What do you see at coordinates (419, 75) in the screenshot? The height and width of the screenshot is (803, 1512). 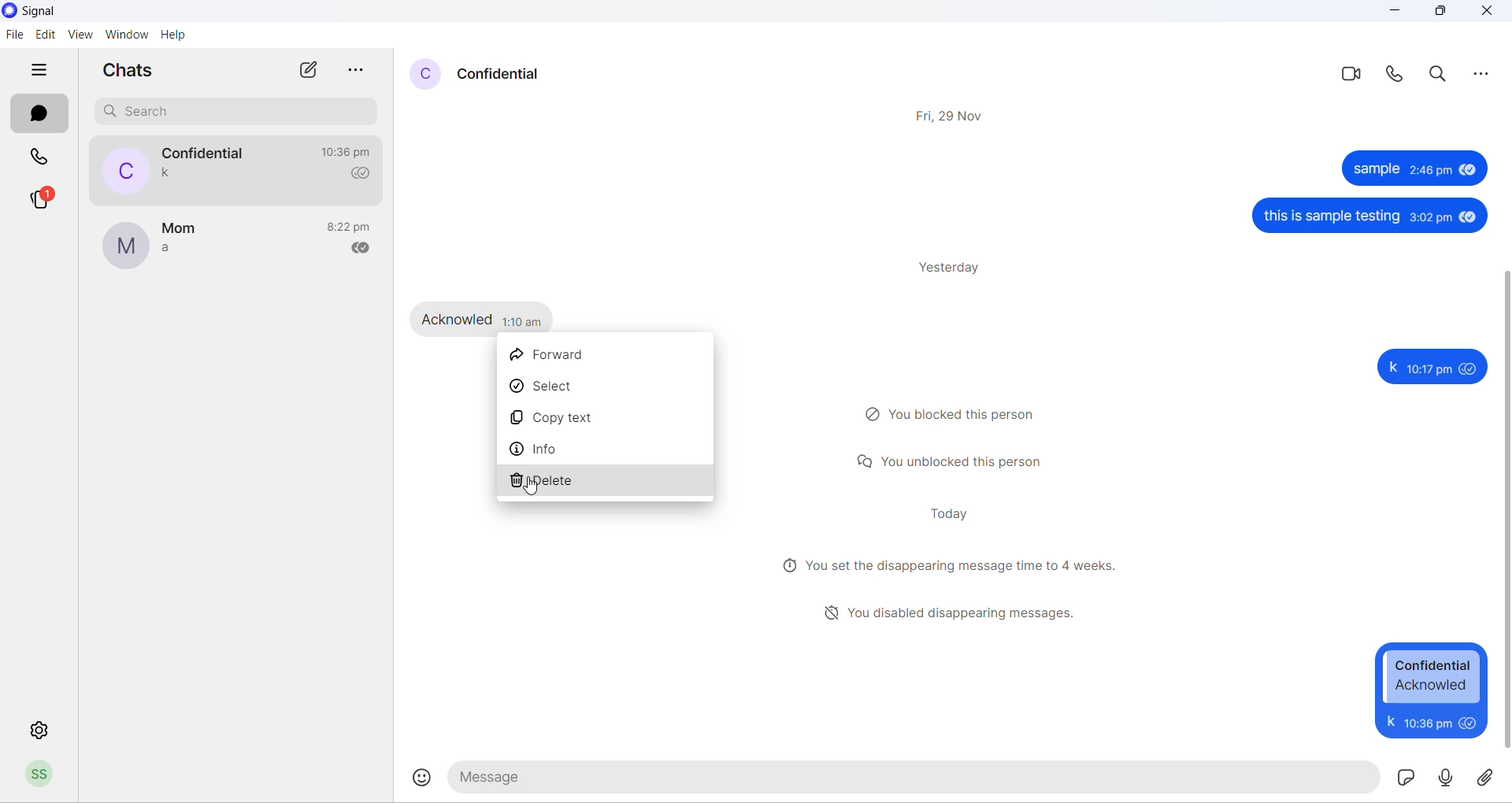 I see `profile picture` at bounding box center [419, 75].